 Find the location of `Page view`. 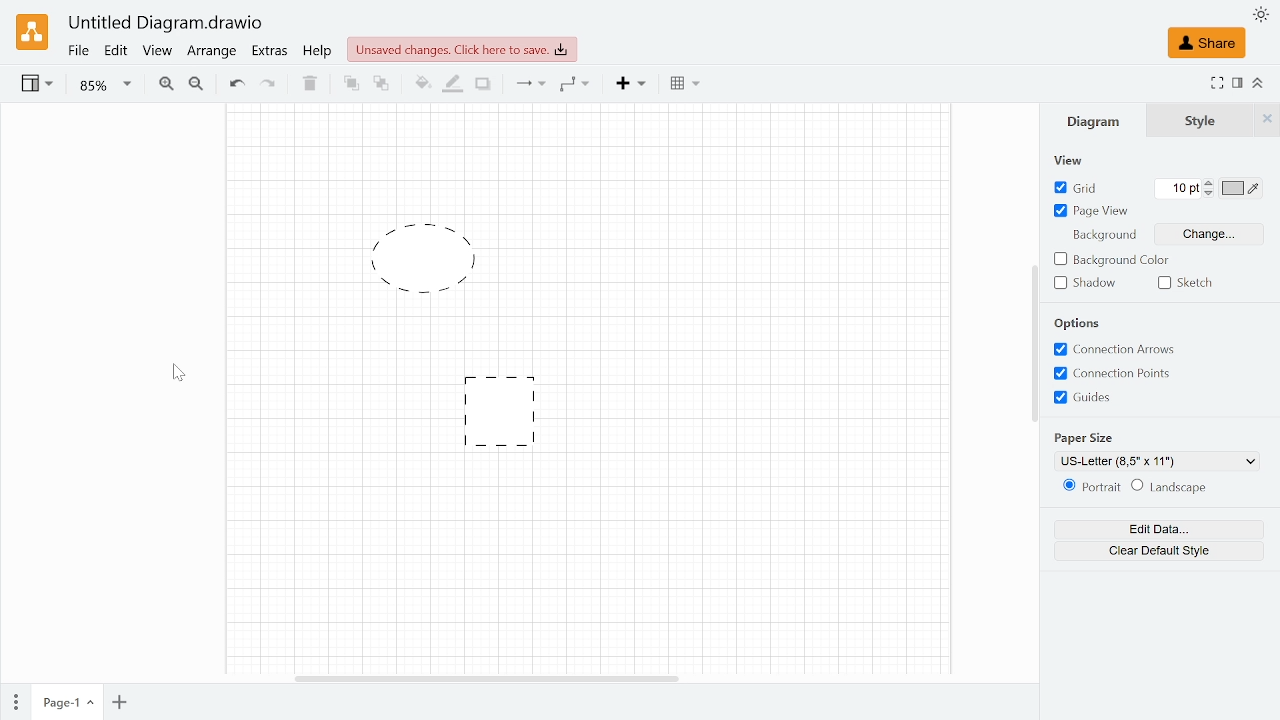

Page view is located at coordinates (1090, 212).